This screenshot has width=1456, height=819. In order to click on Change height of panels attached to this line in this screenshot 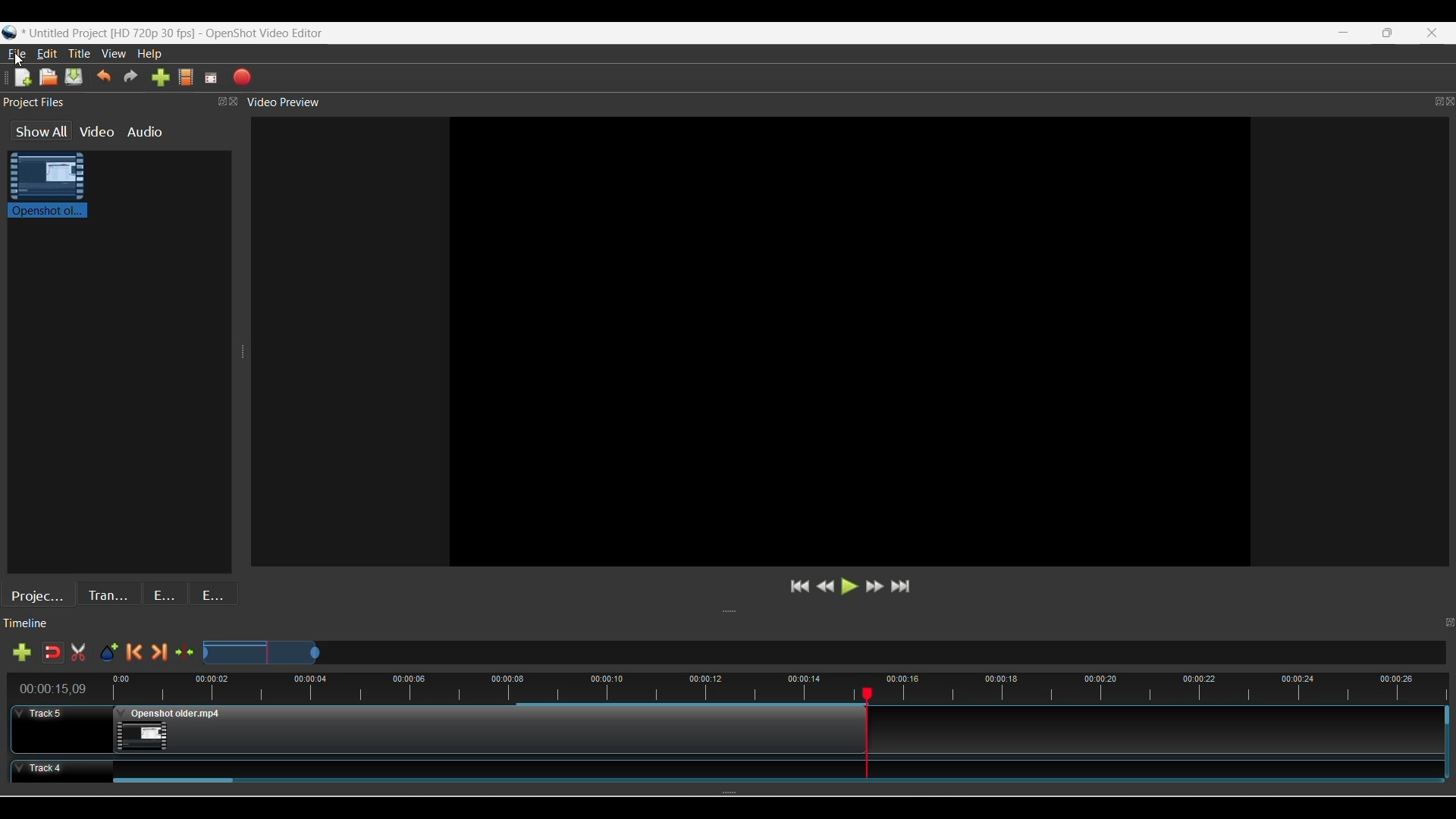, I will do `click(799, 612)`.